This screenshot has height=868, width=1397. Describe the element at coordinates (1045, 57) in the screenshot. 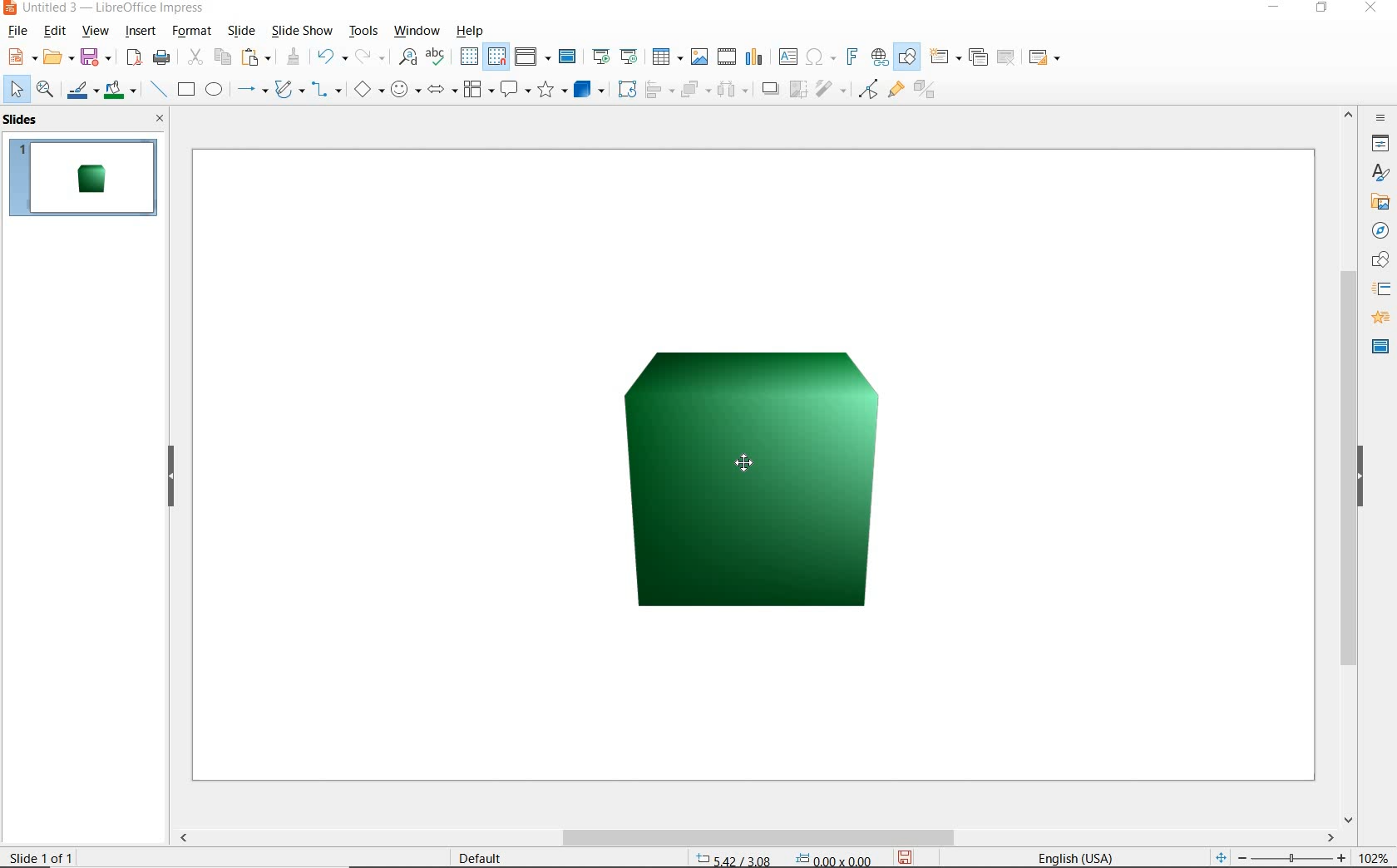

I see `slide layout` at that location.